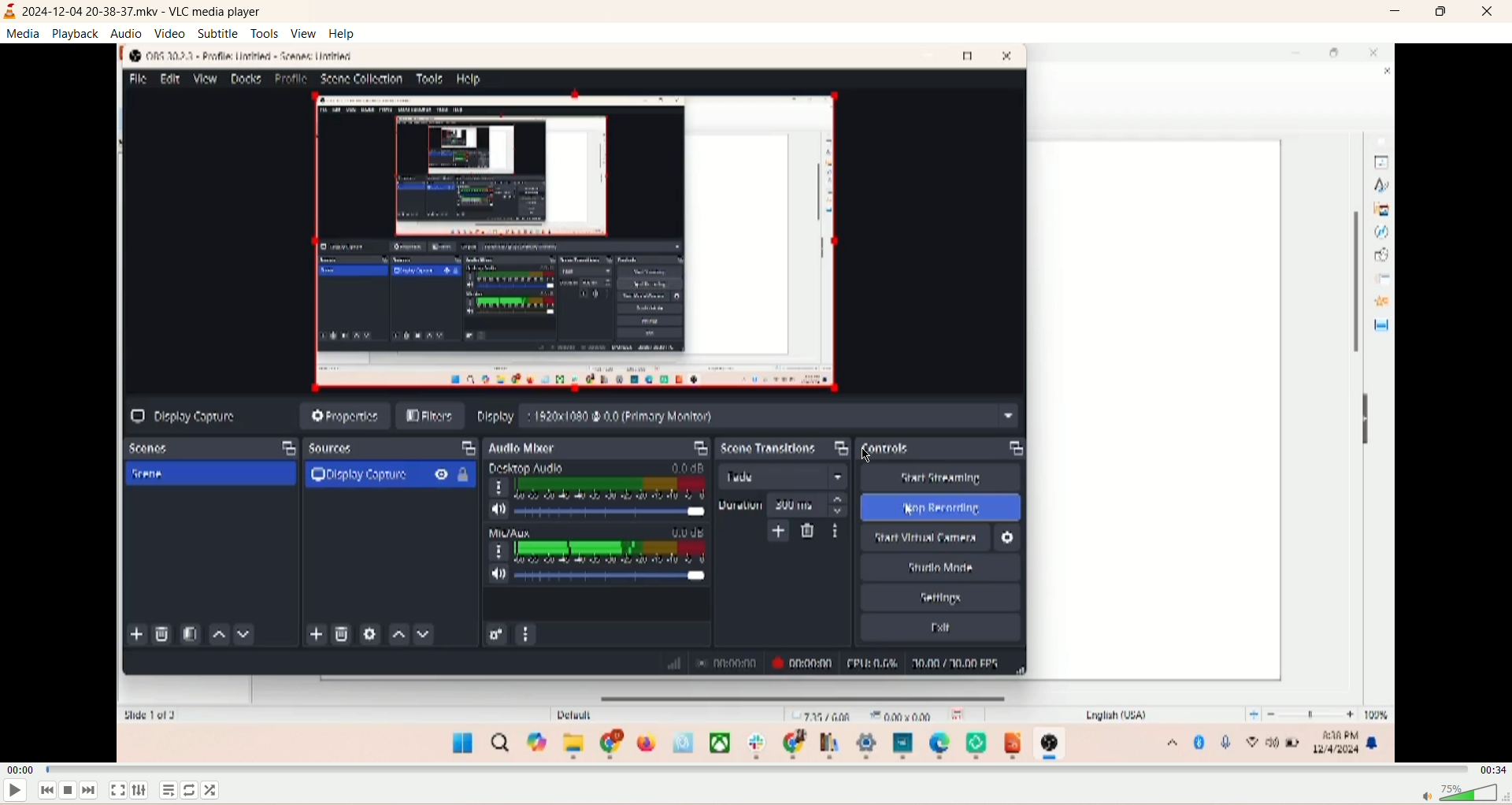  Describe the element at coordinates (1492, 772) in the screenshot. I see `total time` at that location.